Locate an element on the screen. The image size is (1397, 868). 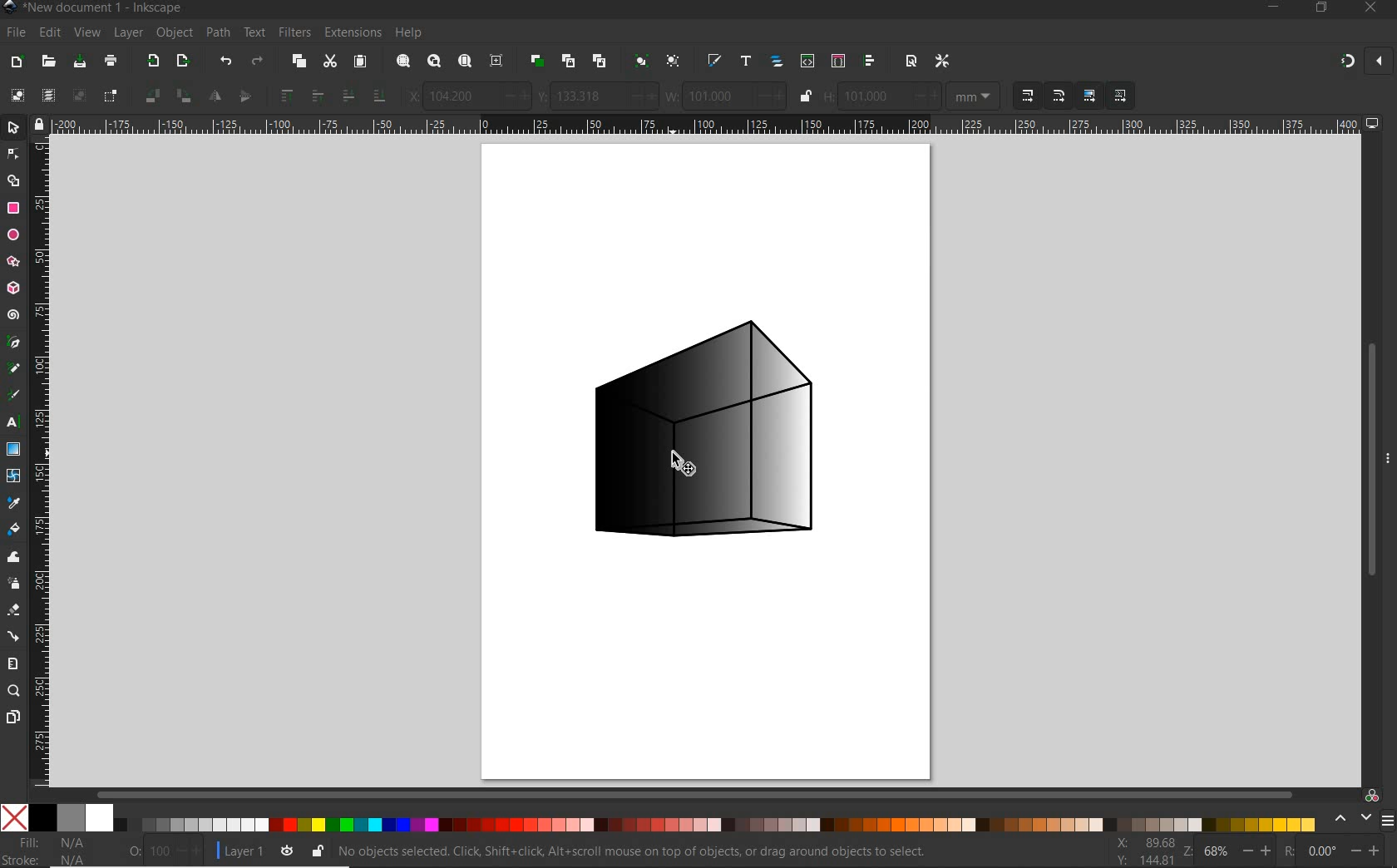
increase/decrease is located at coordinates (642, 96).